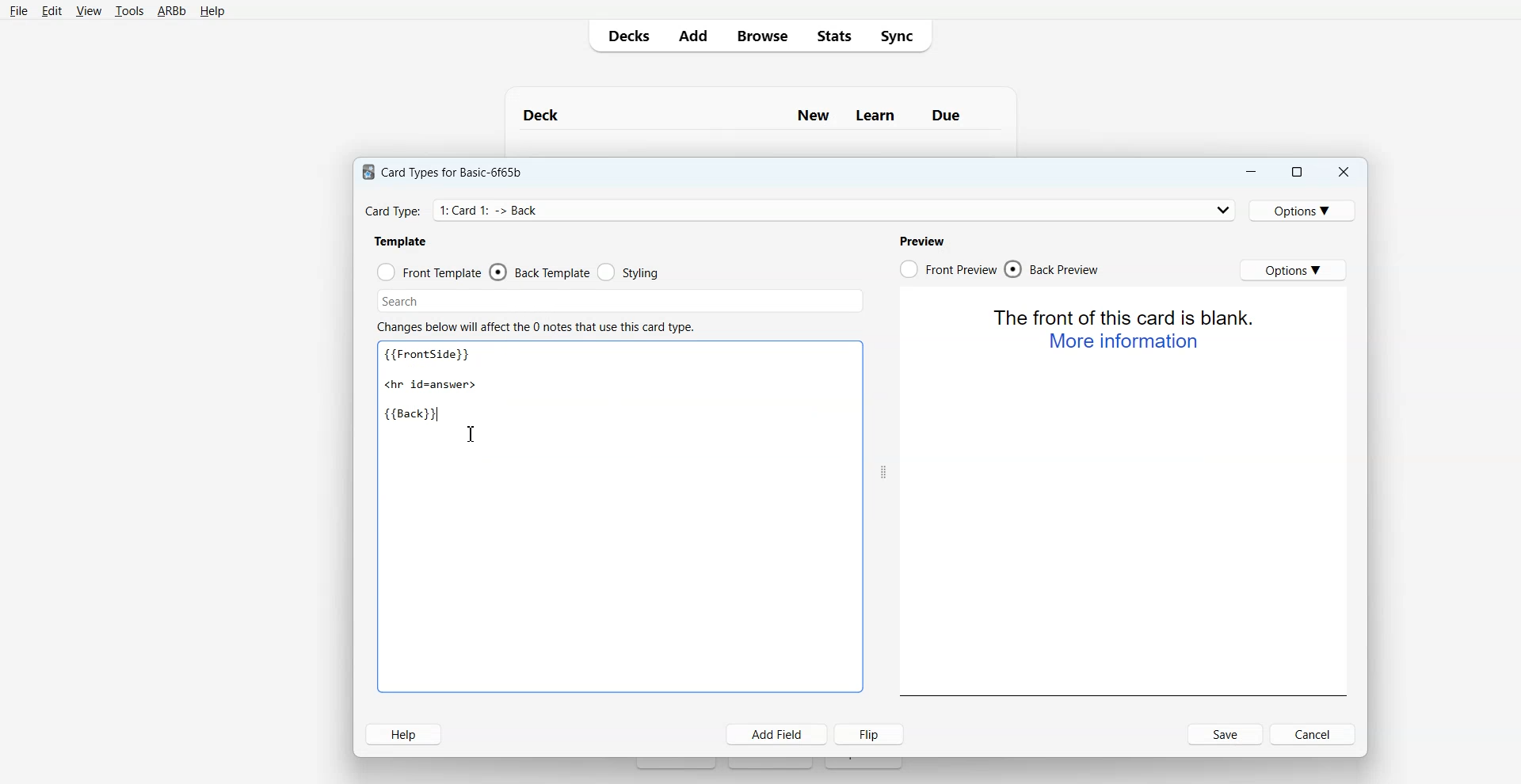 This screenshot has height=784, width=1521. Describe the element at coordinates (760, 108) in the screenshot. I see `Text` at that location.